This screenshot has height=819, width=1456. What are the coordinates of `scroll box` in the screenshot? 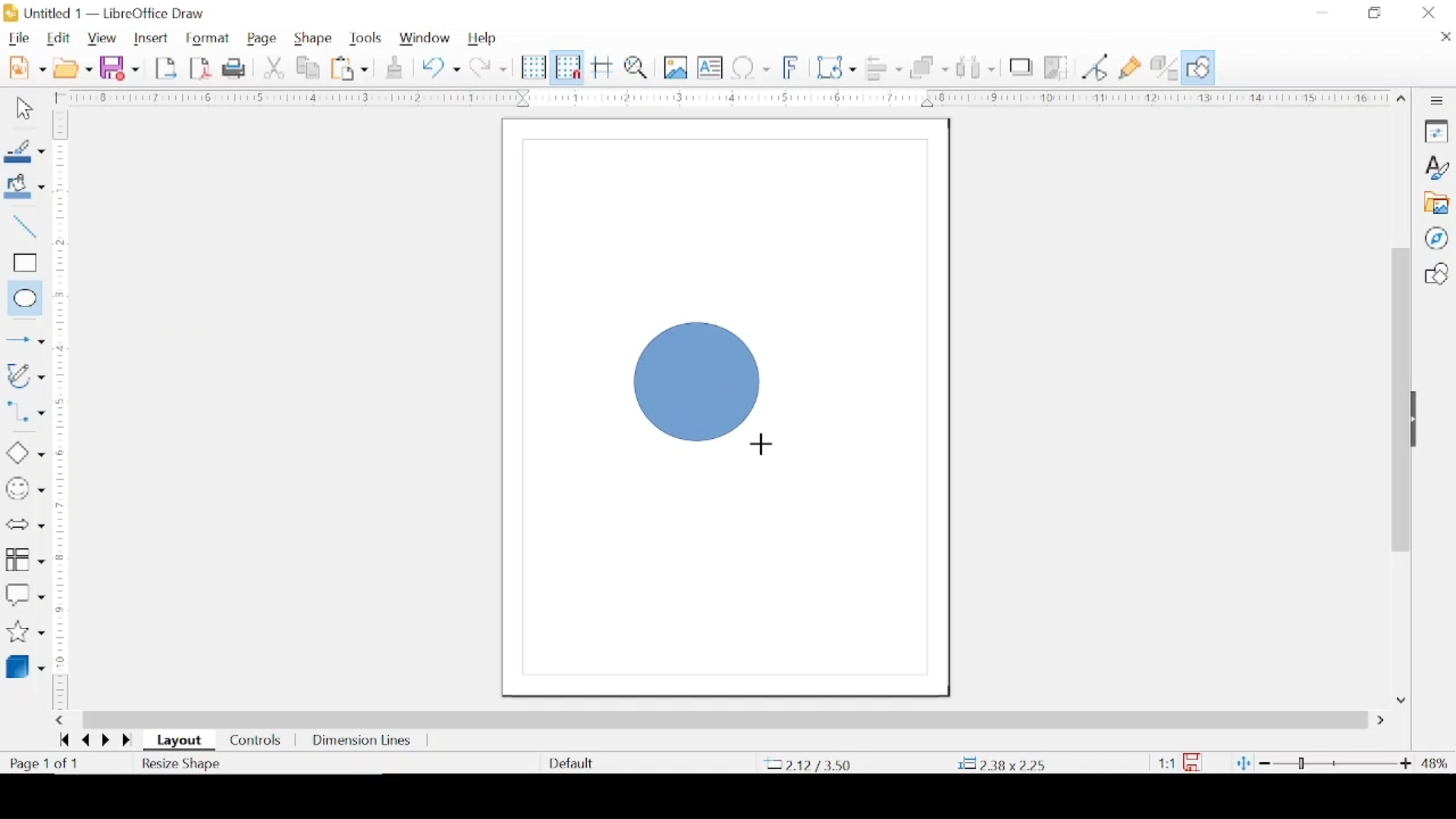 It's located at (726, 719).